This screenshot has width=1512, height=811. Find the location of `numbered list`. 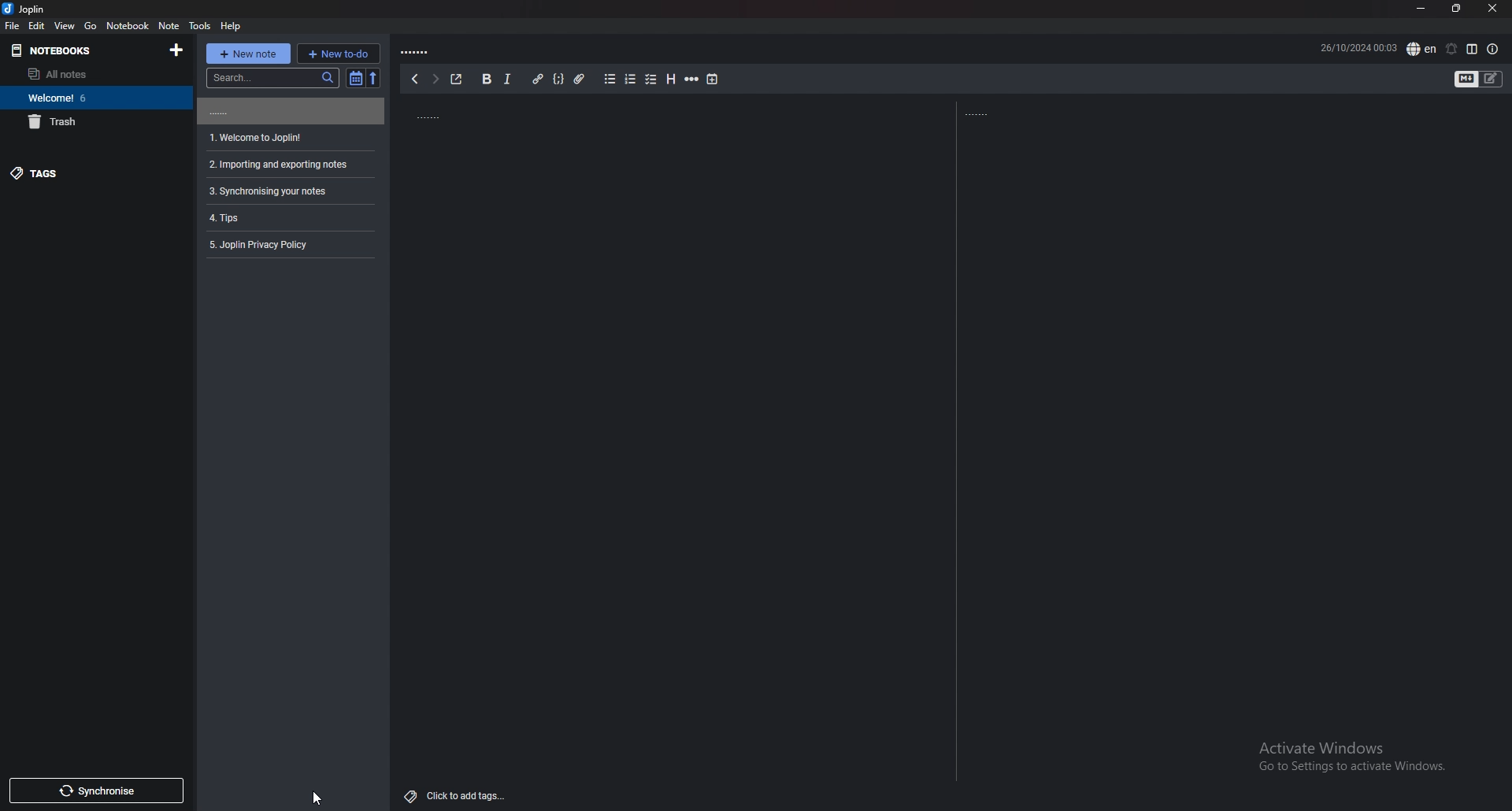

numbered list is located at coordinates (632, 79).